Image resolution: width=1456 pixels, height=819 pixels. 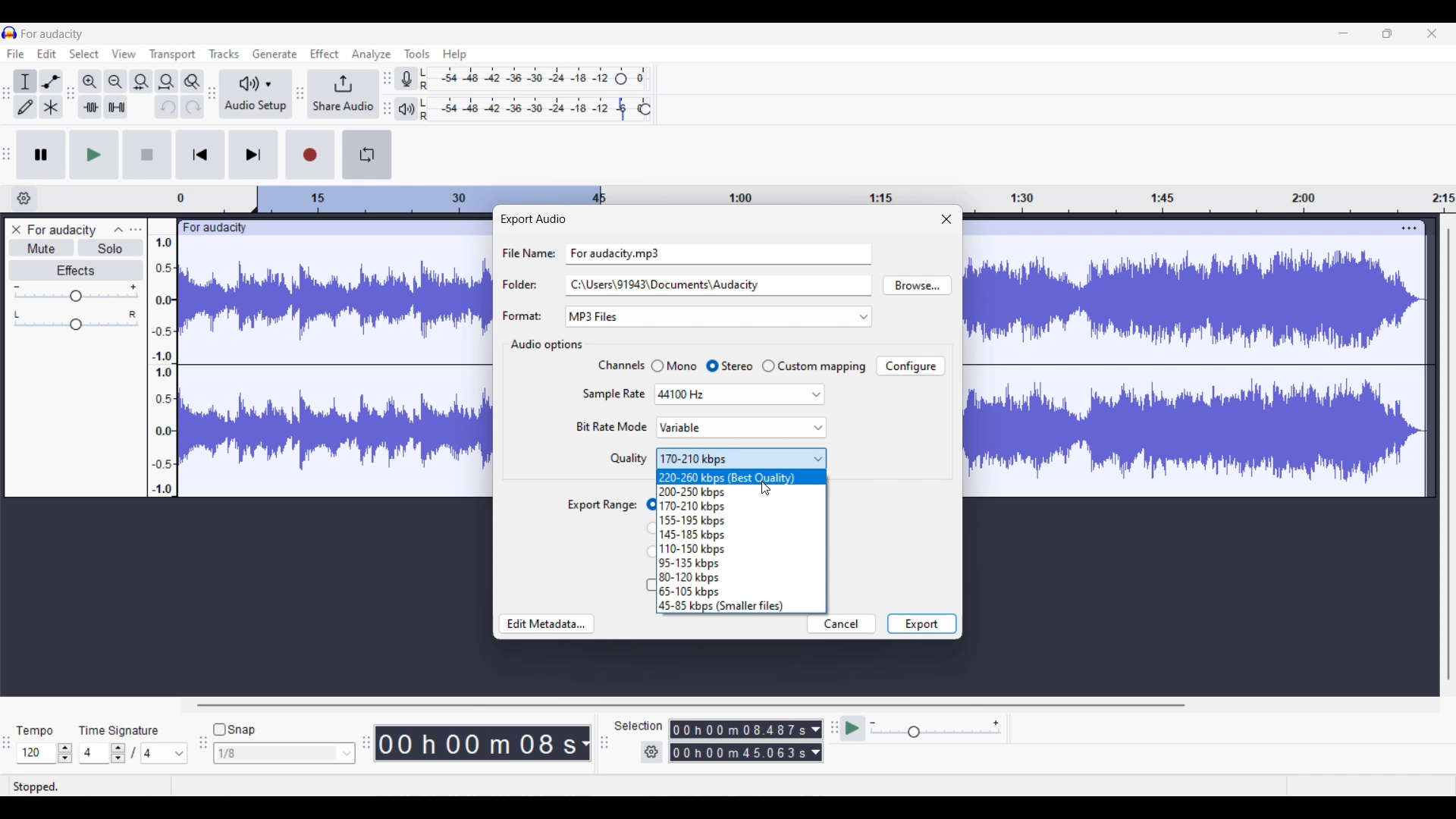 What do you see at coordinates (639, 726) in the screenshot?
I see `Indicates selection duration` at bounding box center [639, 726].